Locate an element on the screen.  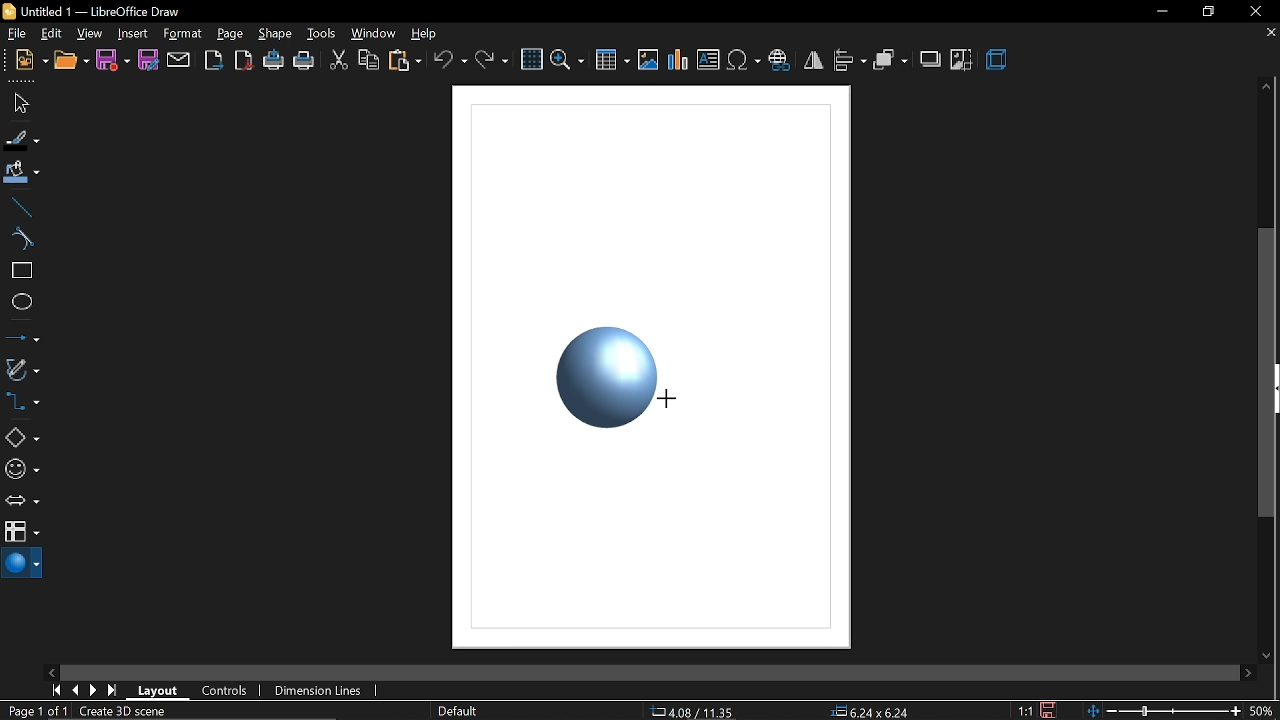
restore down is located at coordinates (1206, 11).